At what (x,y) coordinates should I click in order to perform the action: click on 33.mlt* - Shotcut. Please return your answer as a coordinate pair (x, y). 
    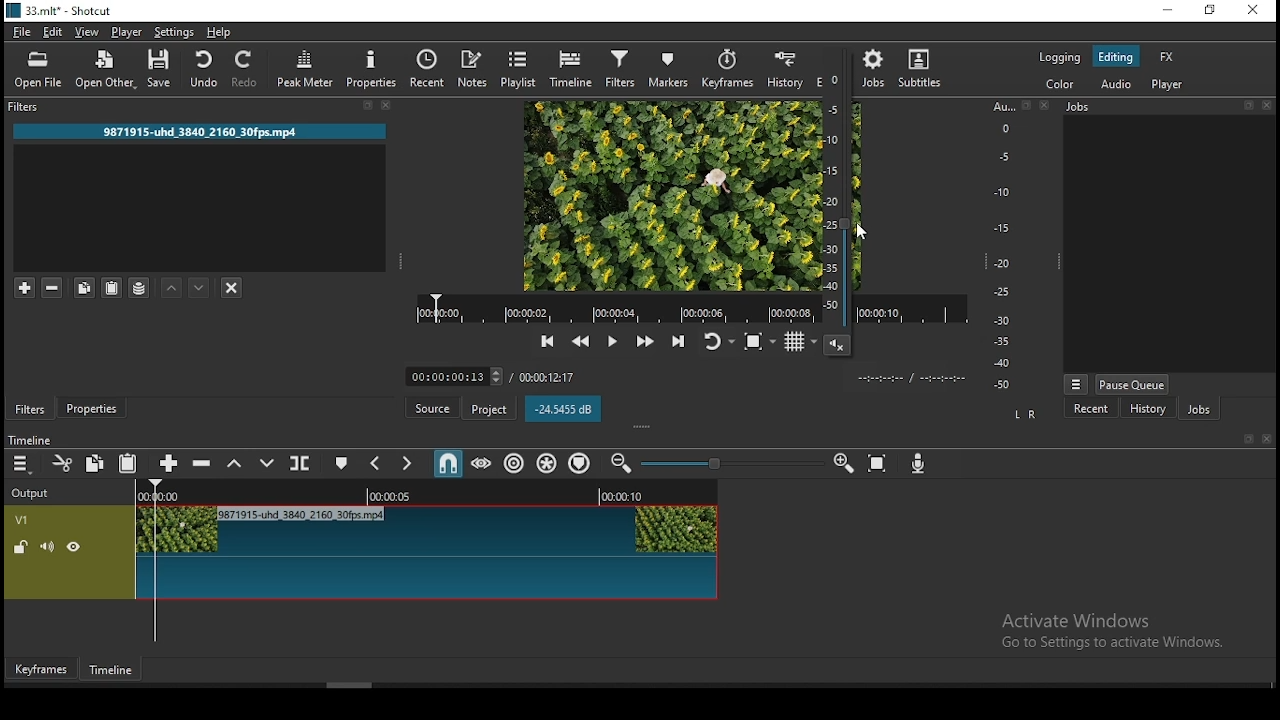
    Looking at the image, I should click on (56, 12).